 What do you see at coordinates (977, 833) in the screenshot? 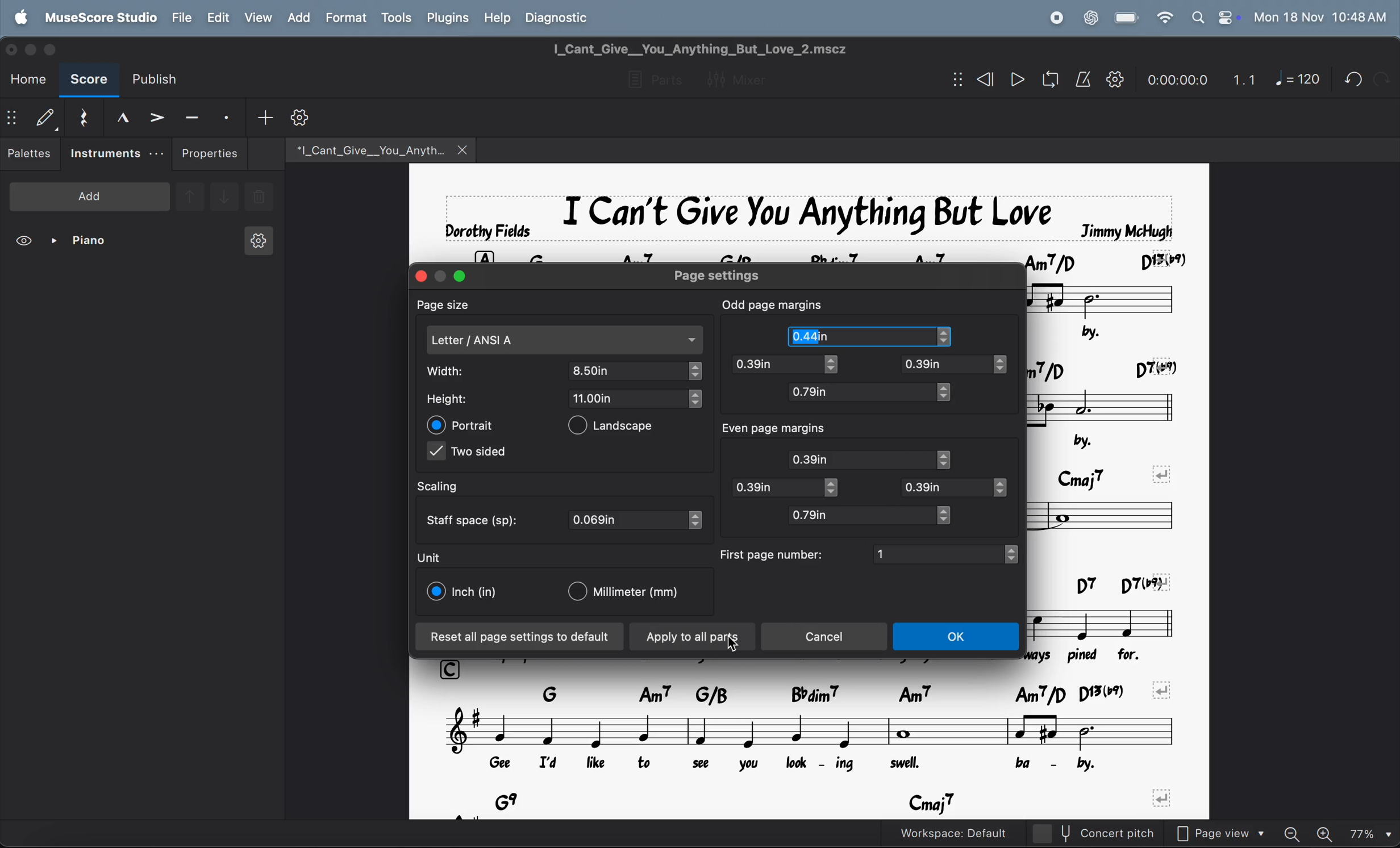
I see `workspace default` at bounding box center [977, 833].